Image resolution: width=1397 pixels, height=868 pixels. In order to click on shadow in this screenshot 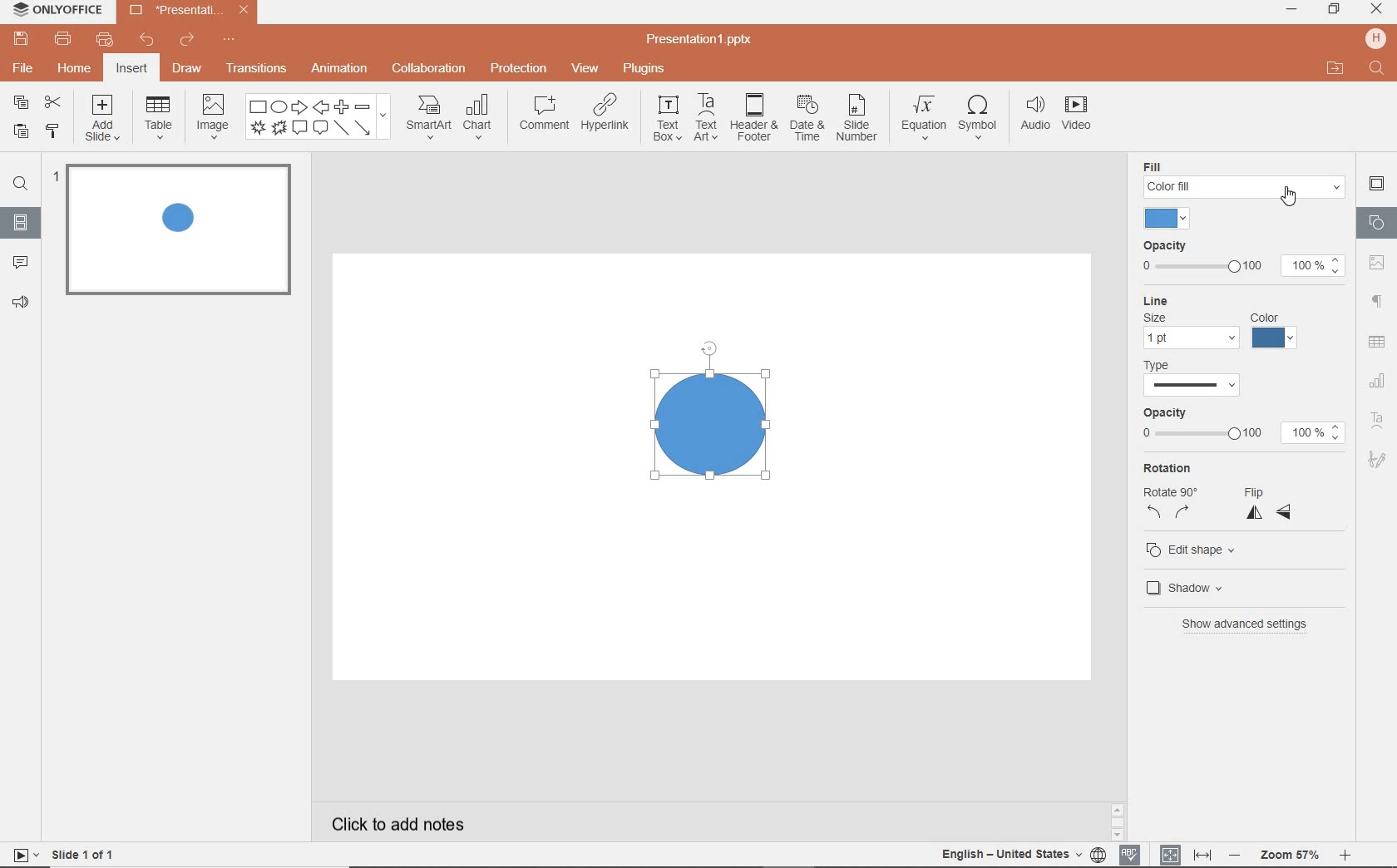, I will do `click(1187, 586)`.